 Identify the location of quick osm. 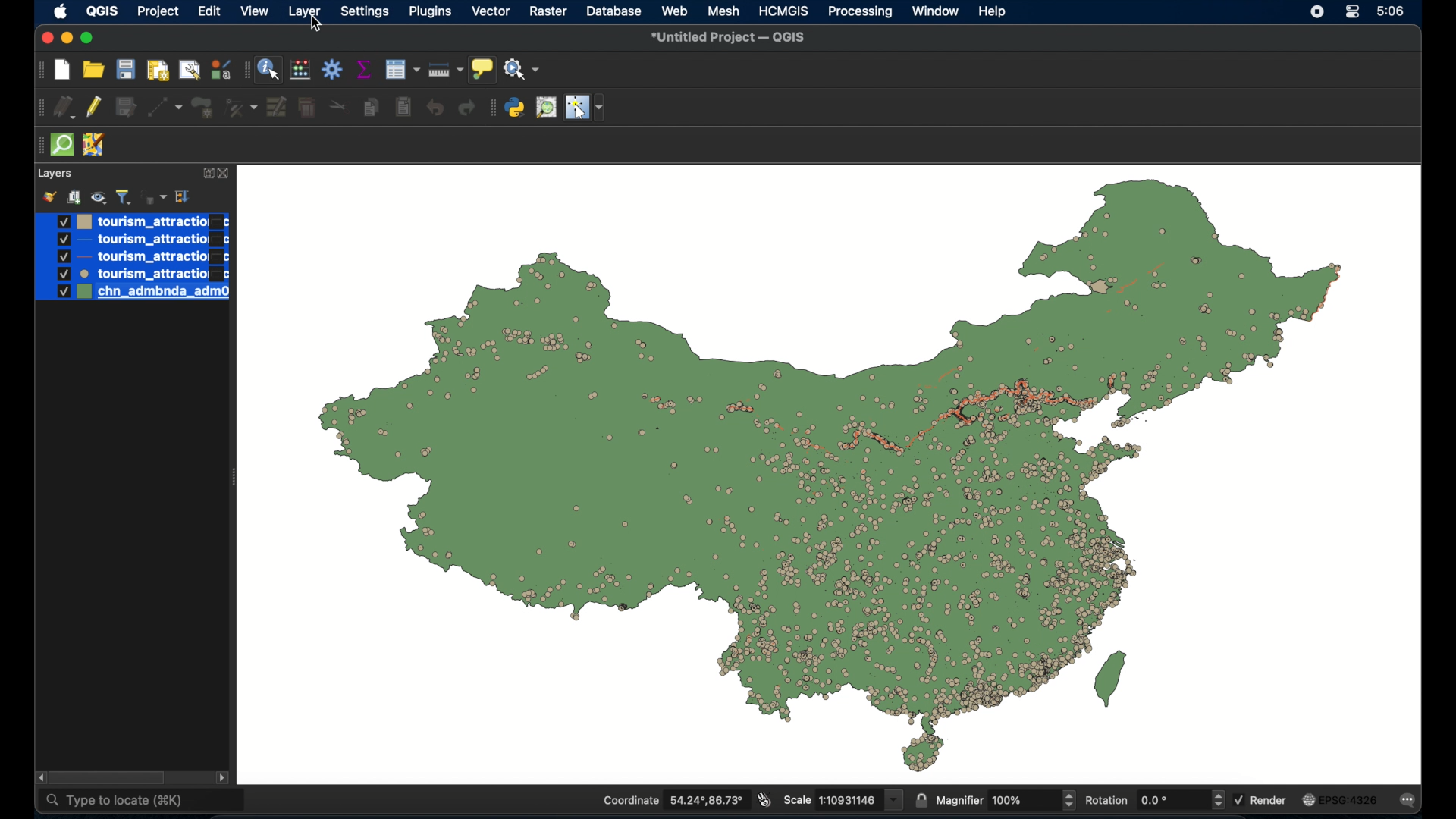
(61, 146).